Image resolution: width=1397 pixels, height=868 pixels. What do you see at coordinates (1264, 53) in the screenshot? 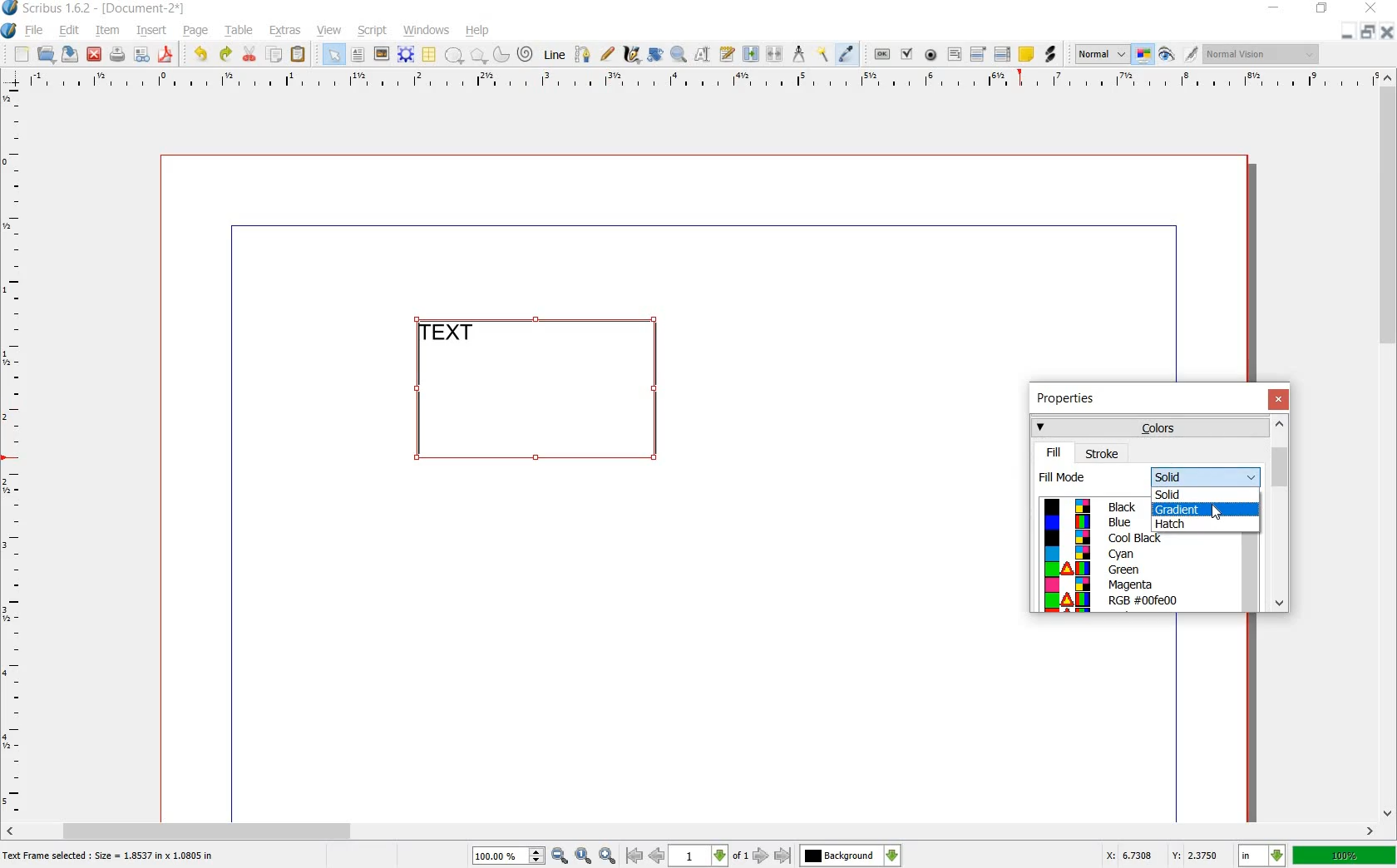
I see `normal Vision` at bounding box center [1264, 53].